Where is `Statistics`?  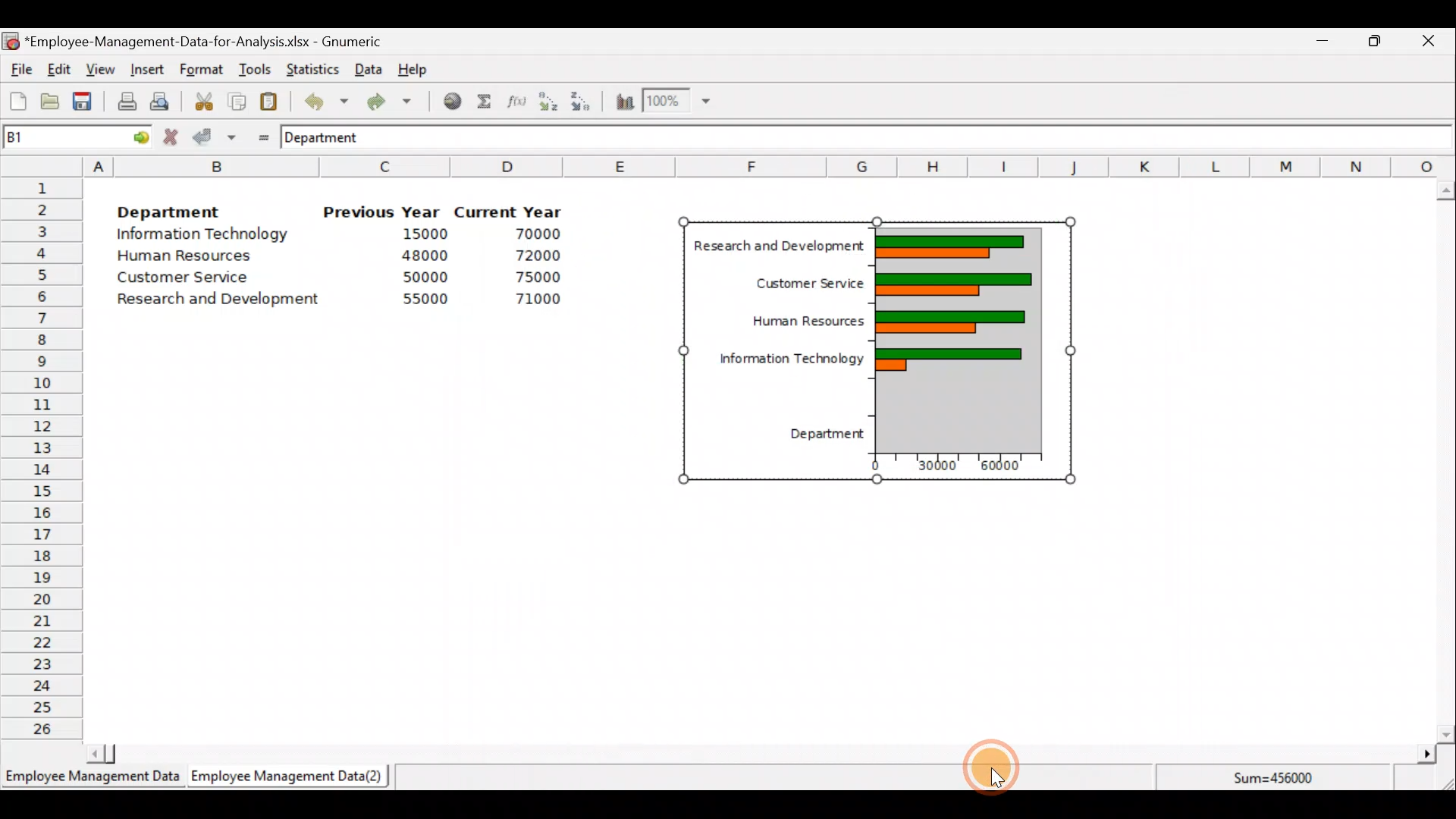 Statistics is located at coordinates (309, 67).